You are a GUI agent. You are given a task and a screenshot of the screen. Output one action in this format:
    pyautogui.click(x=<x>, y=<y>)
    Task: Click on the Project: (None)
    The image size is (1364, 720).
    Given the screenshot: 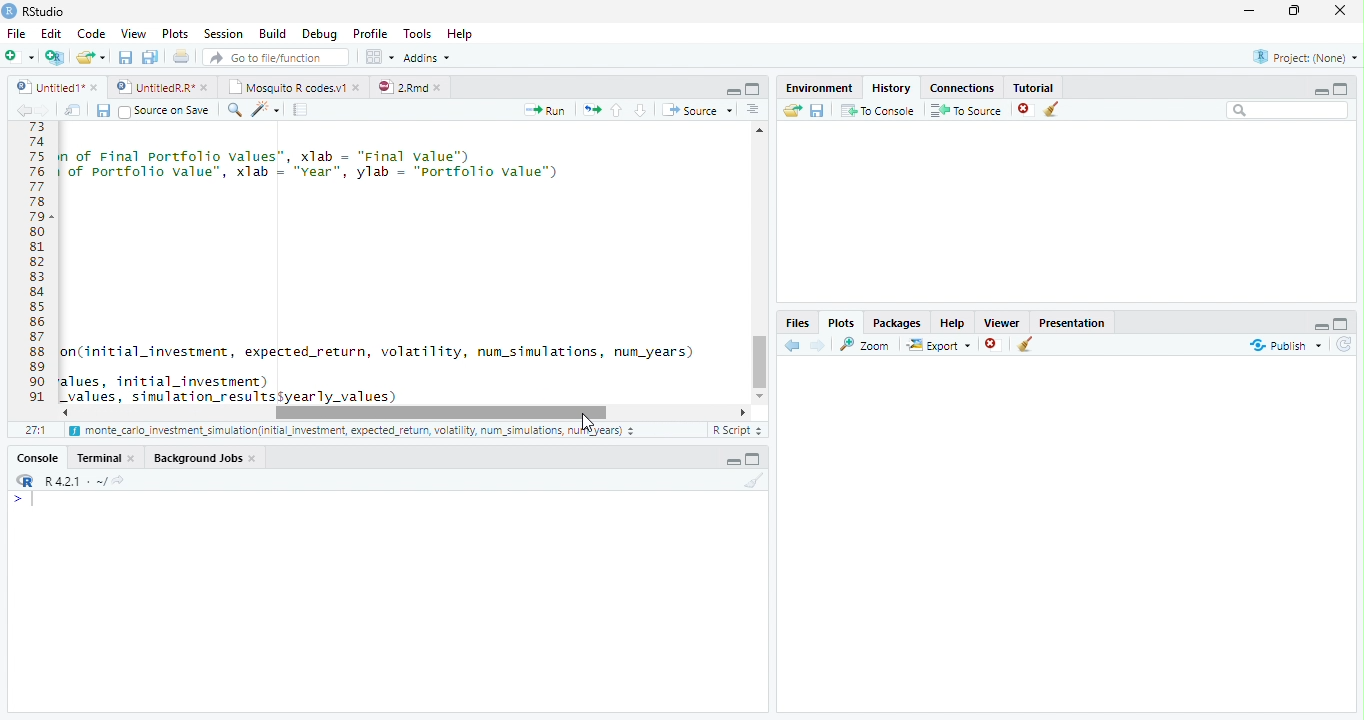 What is the action you would take?
    pyautogui.click(x=1301, y=58)
    